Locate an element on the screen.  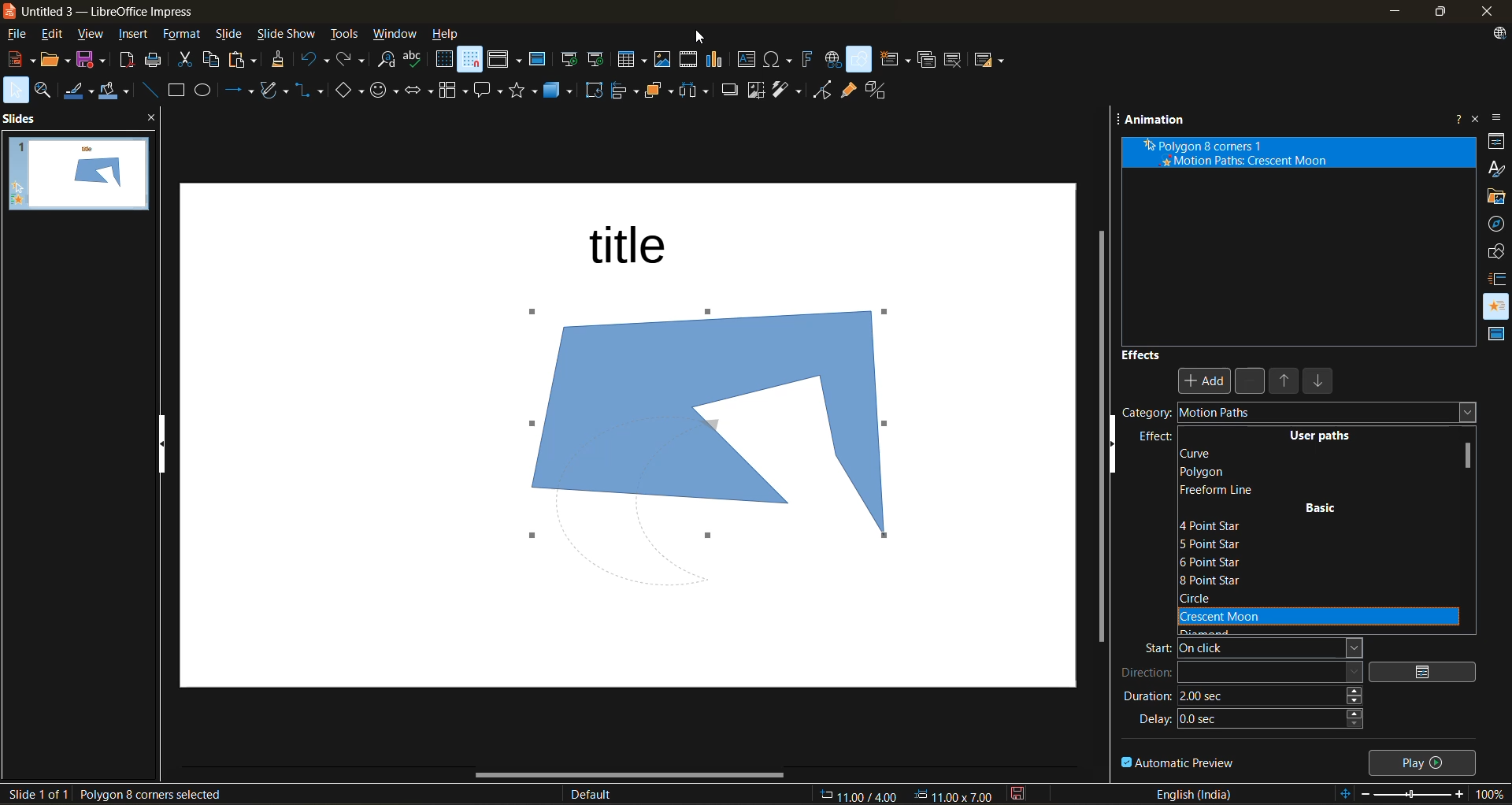
move down is located at coordinates (1318, 384).